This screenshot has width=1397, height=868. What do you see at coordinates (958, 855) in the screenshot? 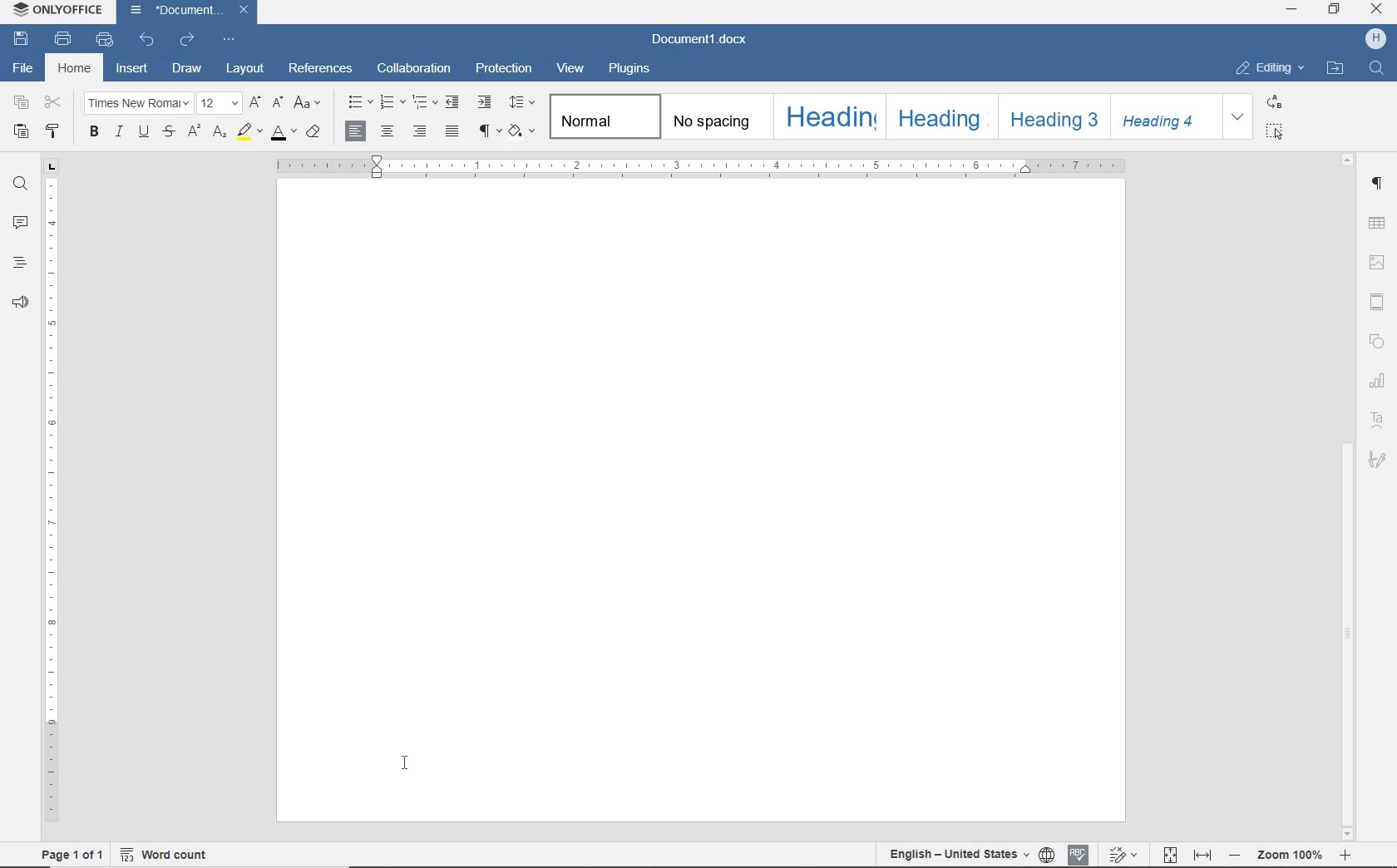
I see `English -United States` at bounding box center [958, 855].